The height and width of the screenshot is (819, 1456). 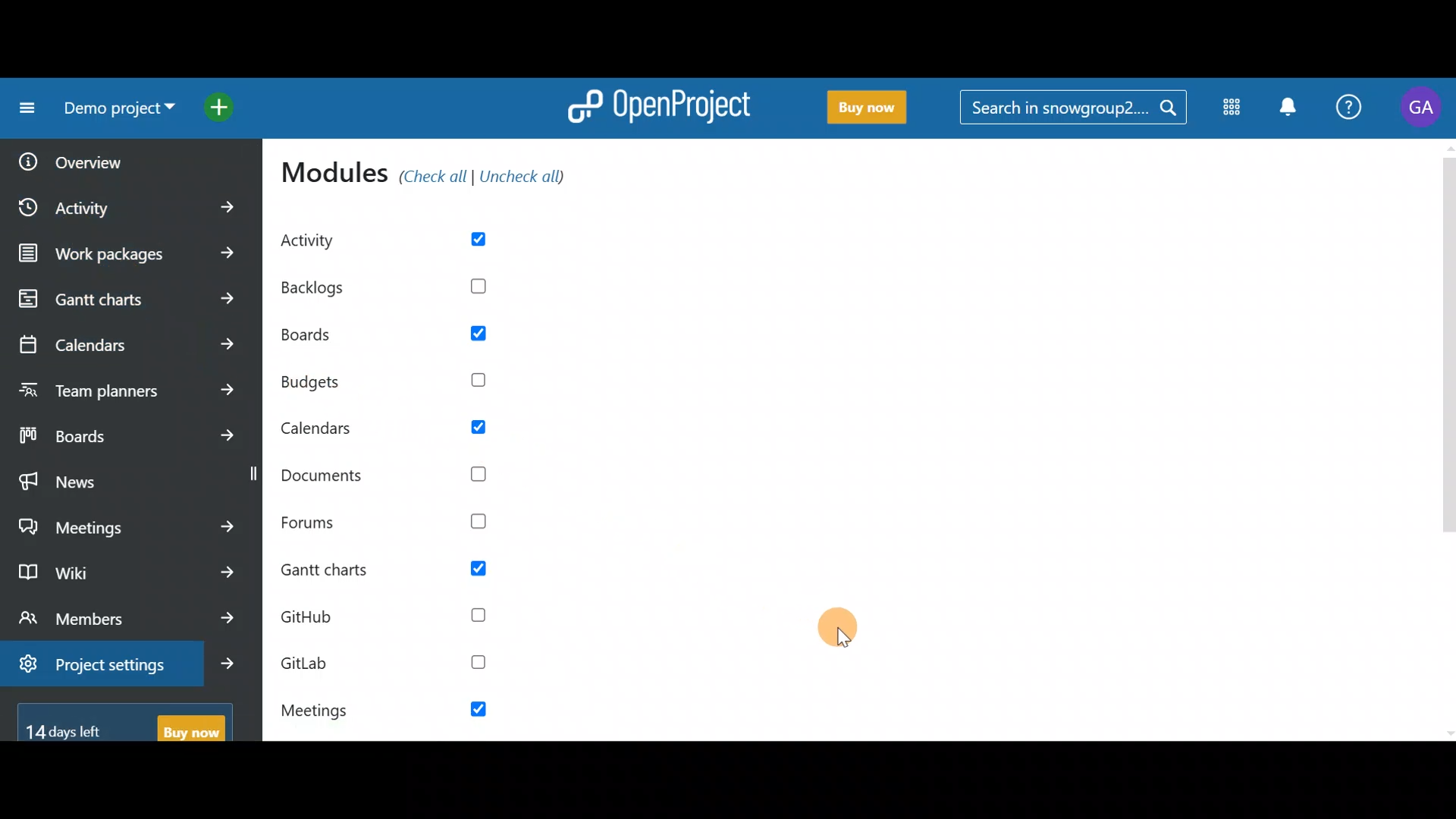 I want to click on Scroll bar, so click(x=1447, y=439).